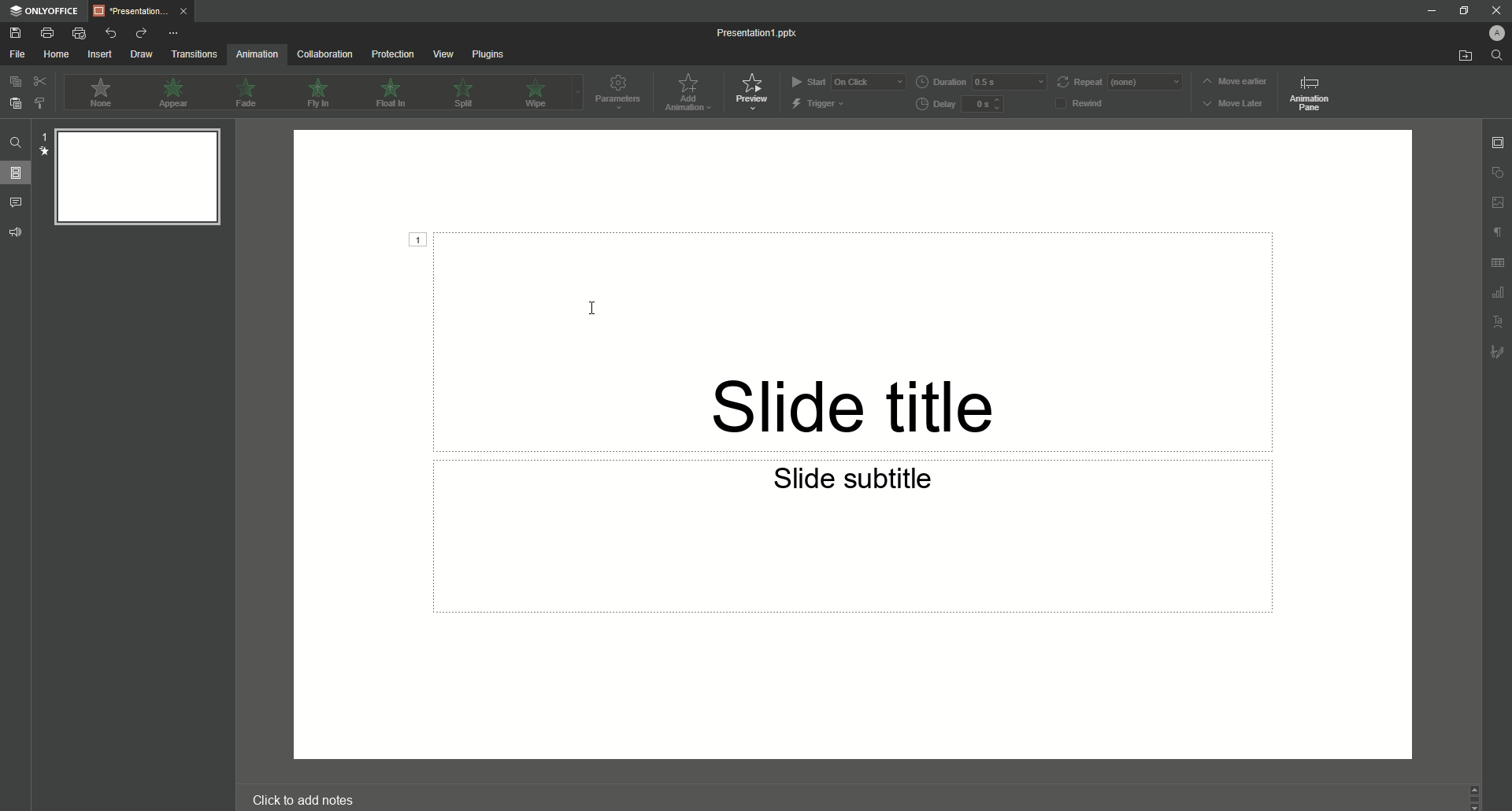 Image resolution: width=1512 pixels, height=811 pixels. I want to click on Tab 1, so click(146, 13).